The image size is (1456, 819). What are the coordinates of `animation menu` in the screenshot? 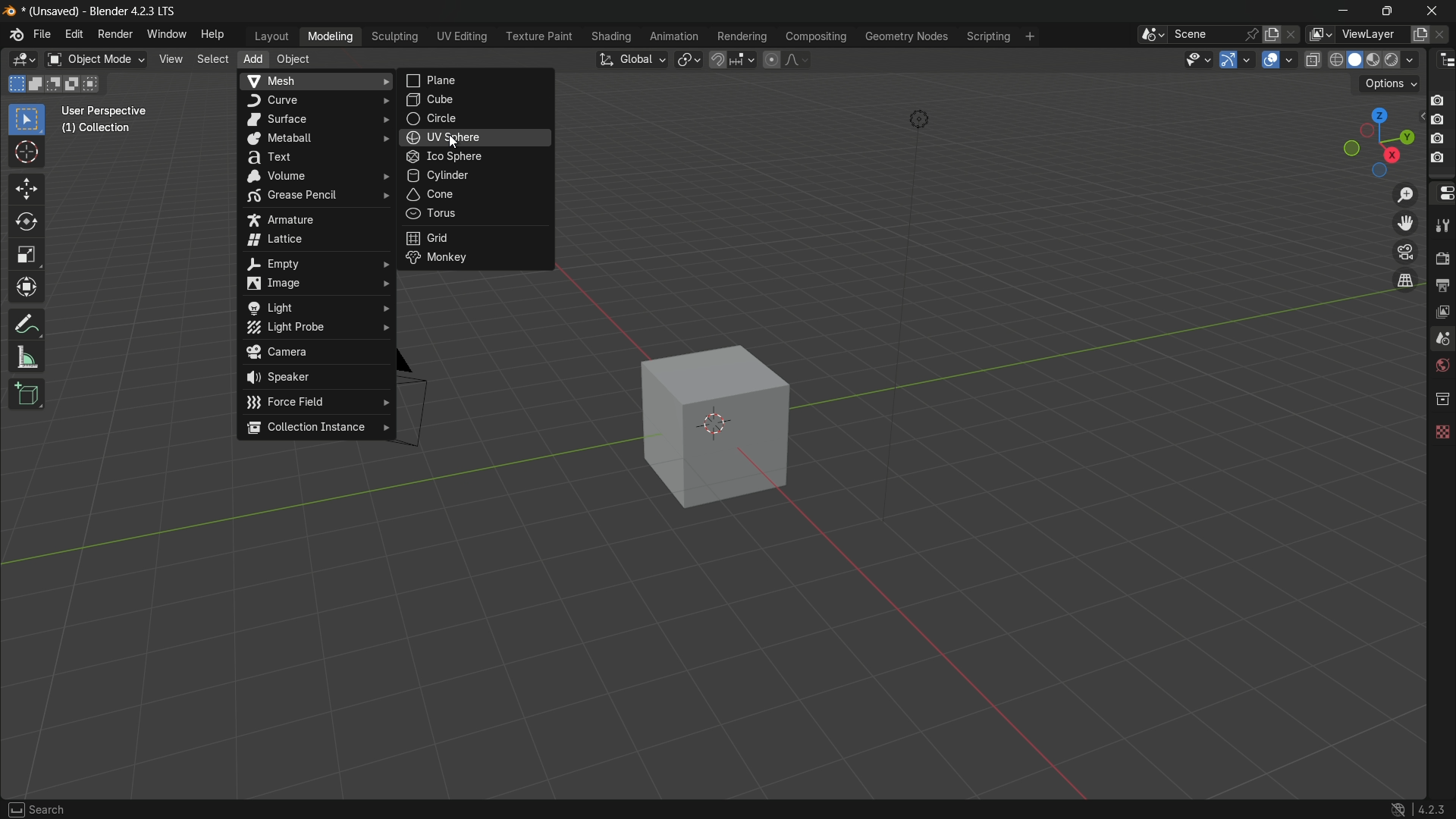 It's located at (676, 36).